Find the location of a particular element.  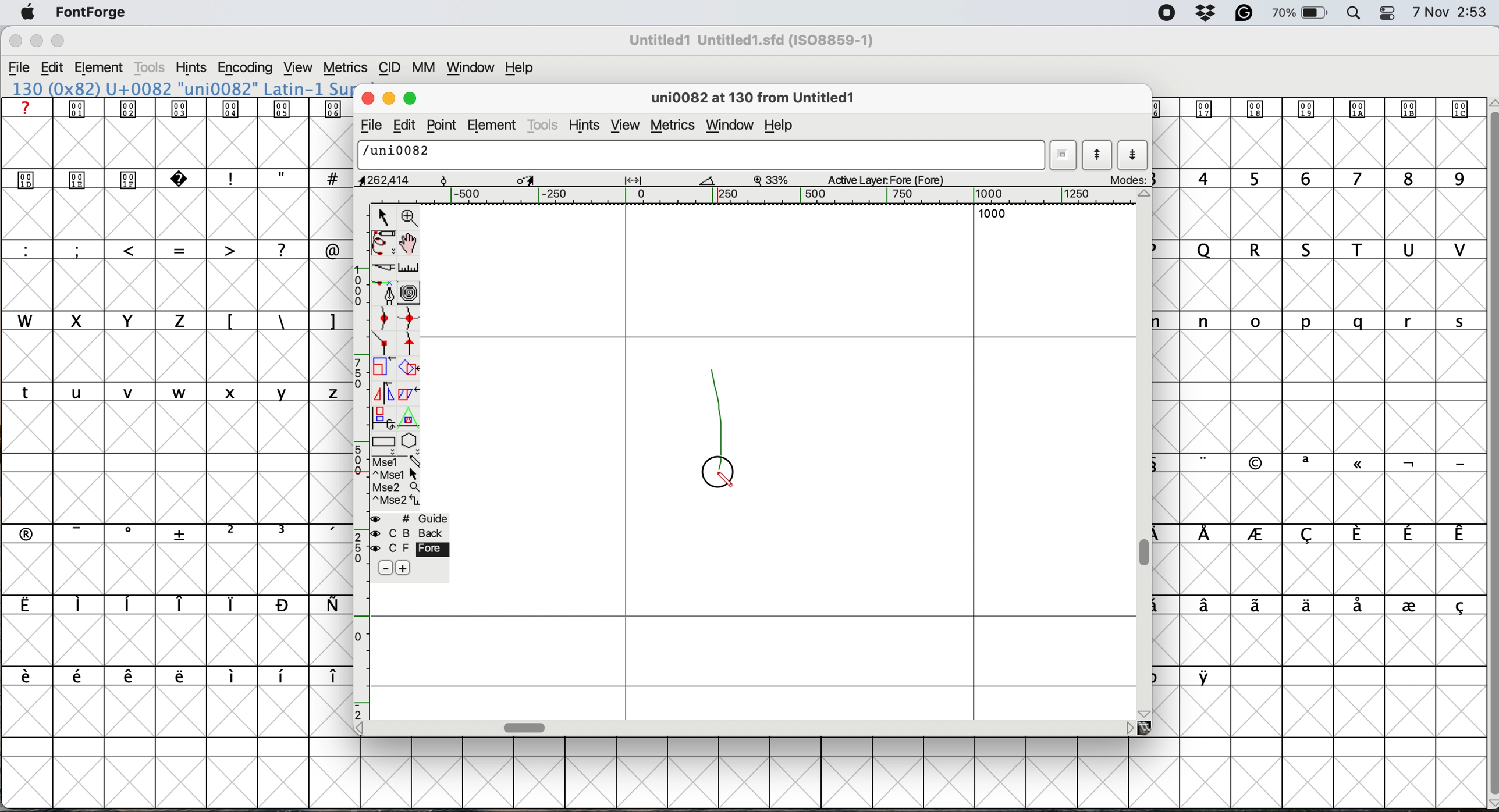

close is located at coordinates (368, 99).